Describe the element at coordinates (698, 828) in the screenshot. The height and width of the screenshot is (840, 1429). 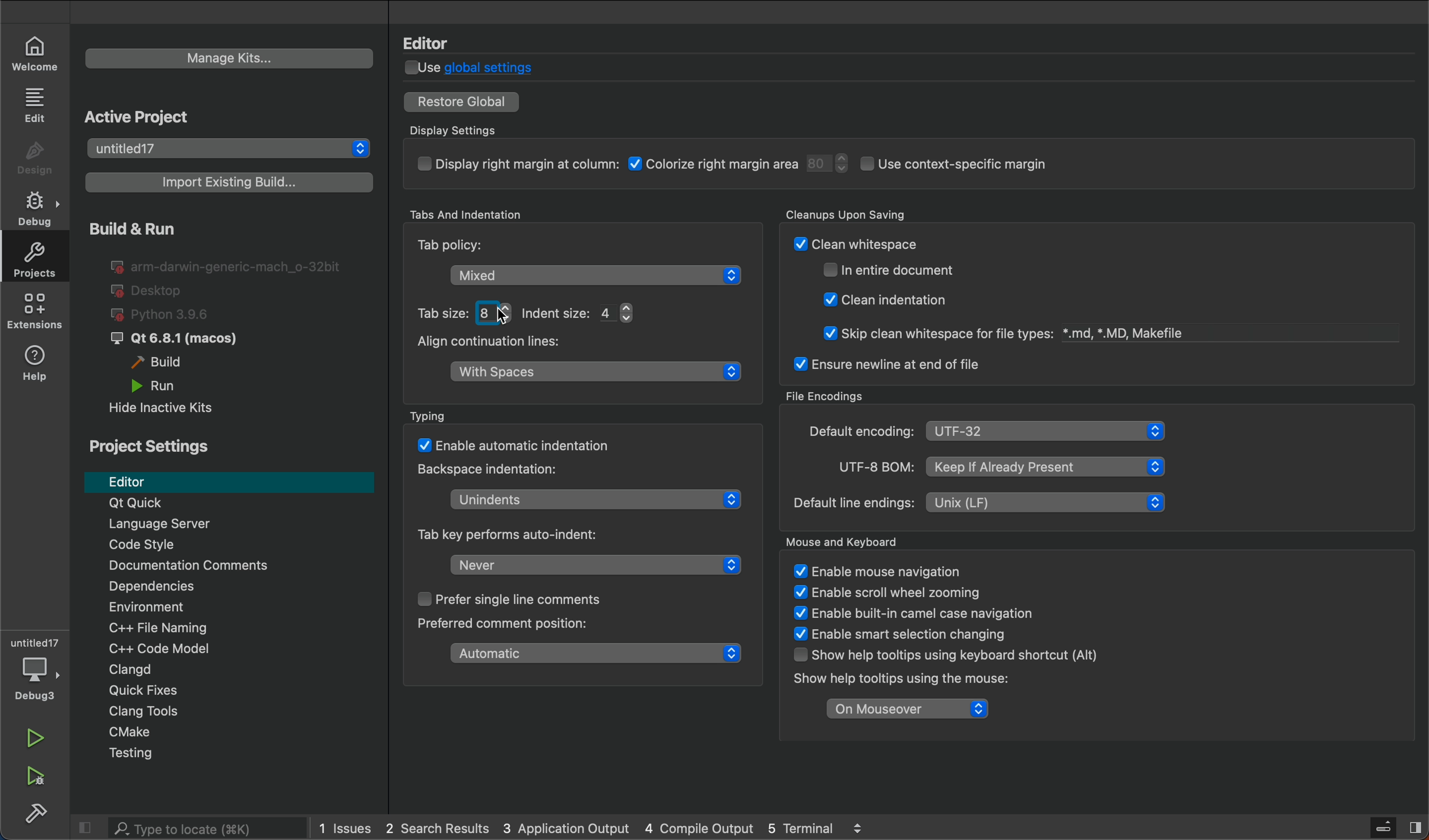
I see `compile output` at that location.